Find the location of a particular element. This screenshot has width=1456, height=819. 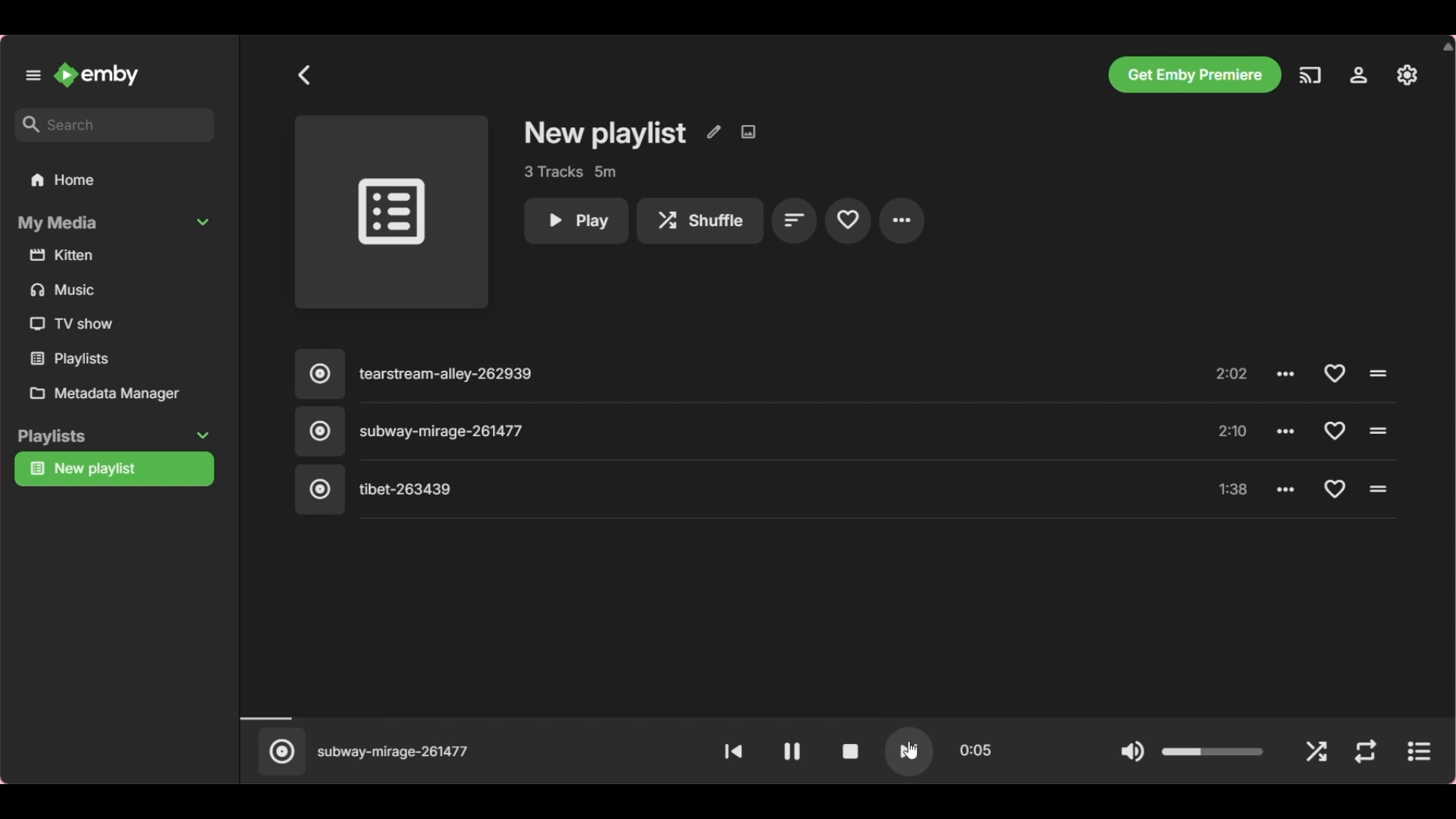

Go to home is located at coordinates (96, 74).